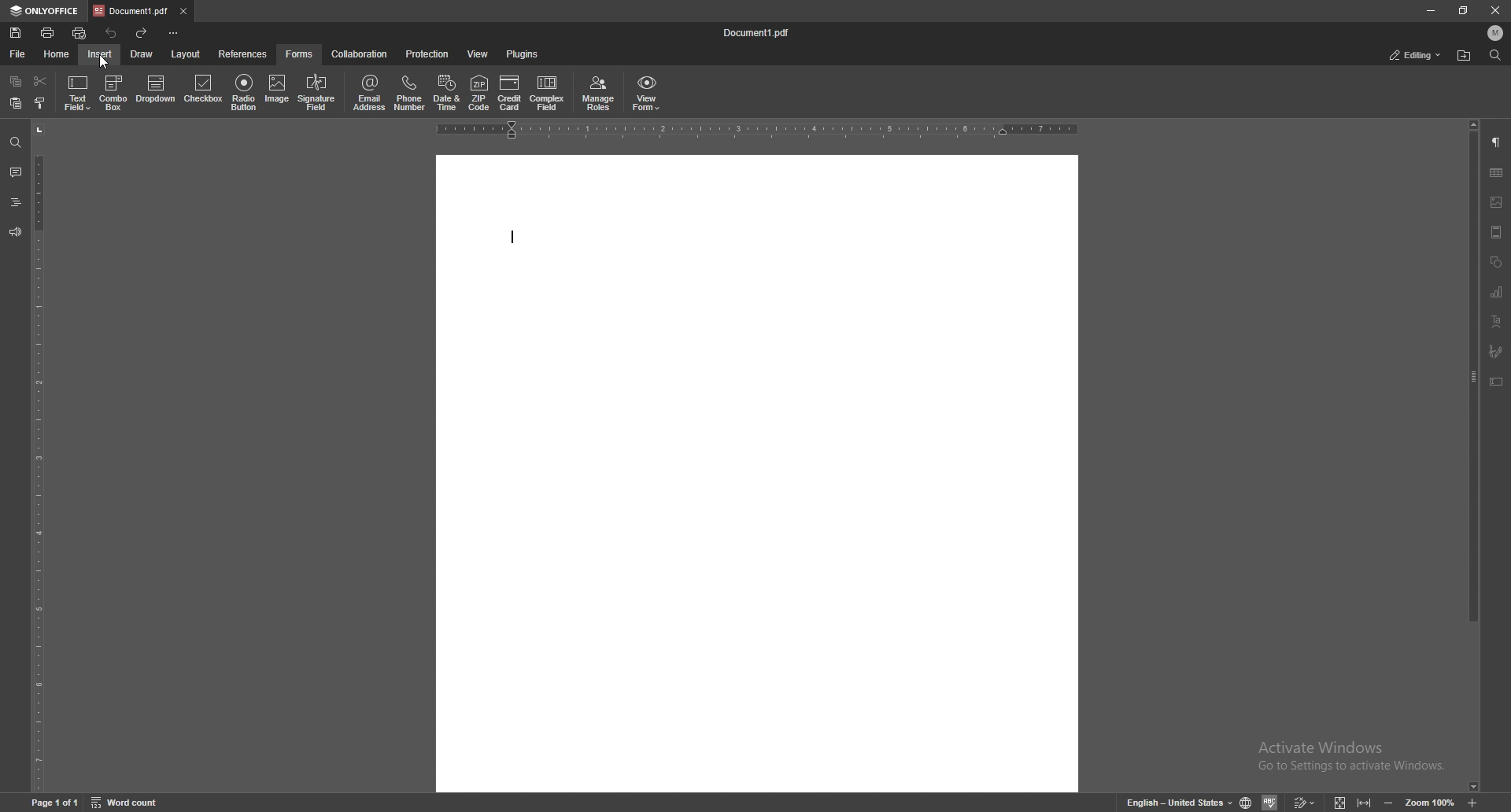  I want to click on find, so click(1495, 56).